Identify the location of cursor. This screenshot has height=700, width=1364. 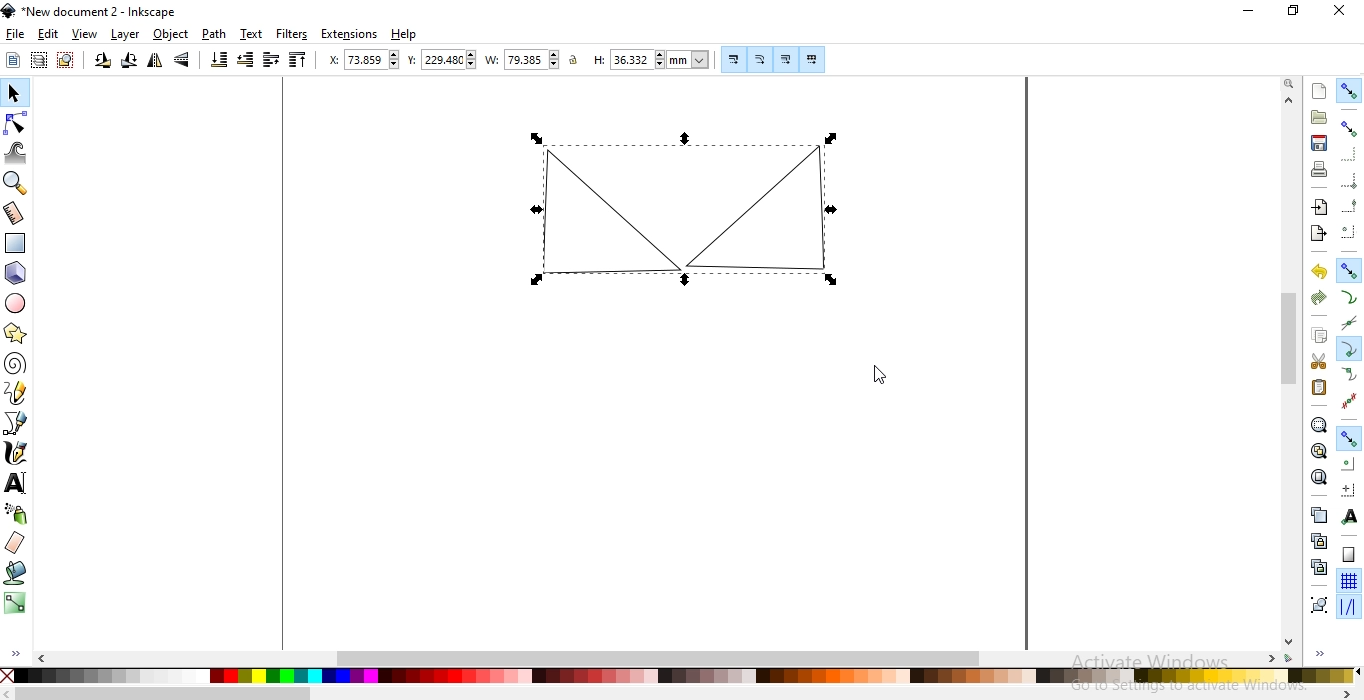
(876, 370).